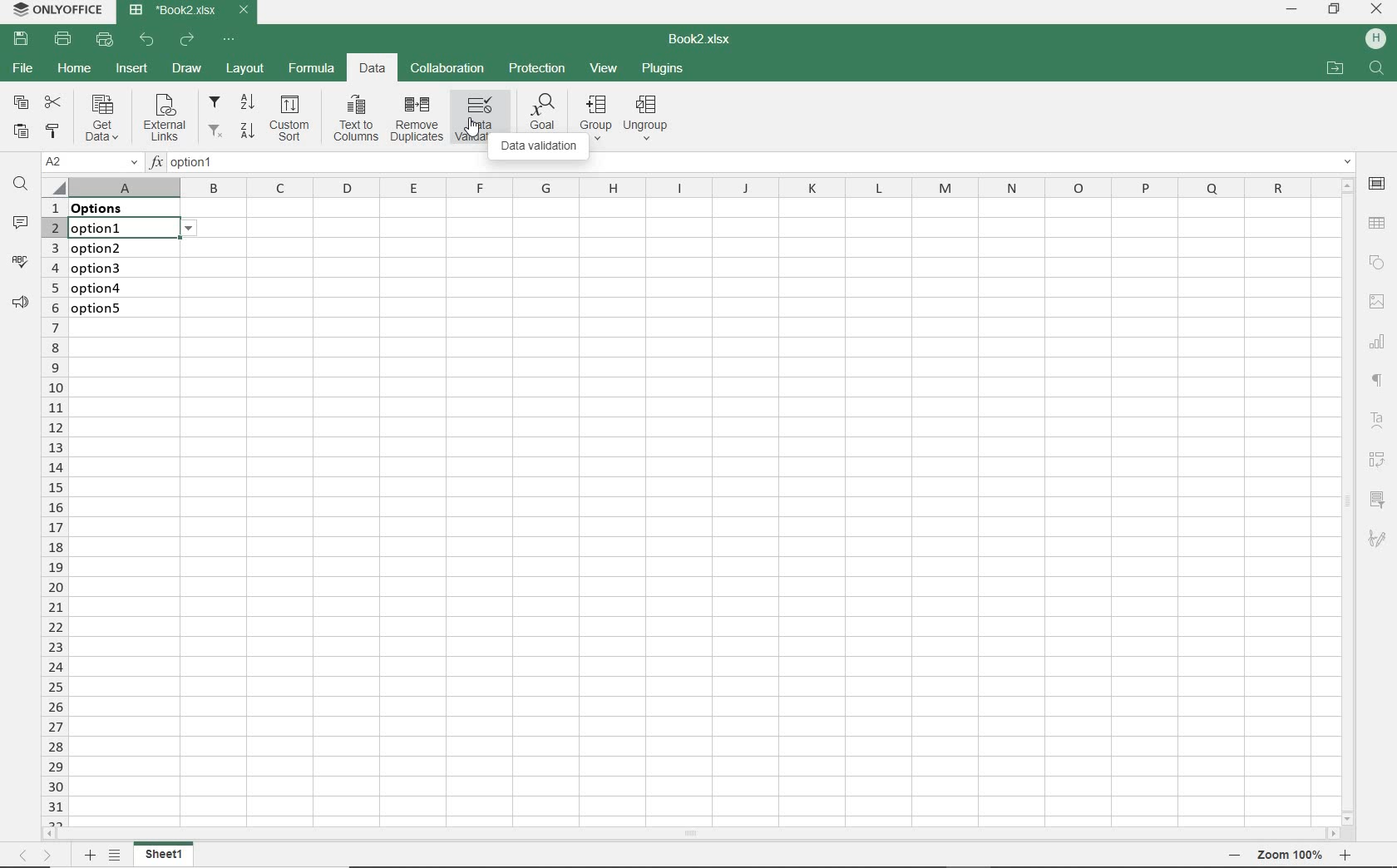  I want to click on PLUGINS, so click(663, 70).